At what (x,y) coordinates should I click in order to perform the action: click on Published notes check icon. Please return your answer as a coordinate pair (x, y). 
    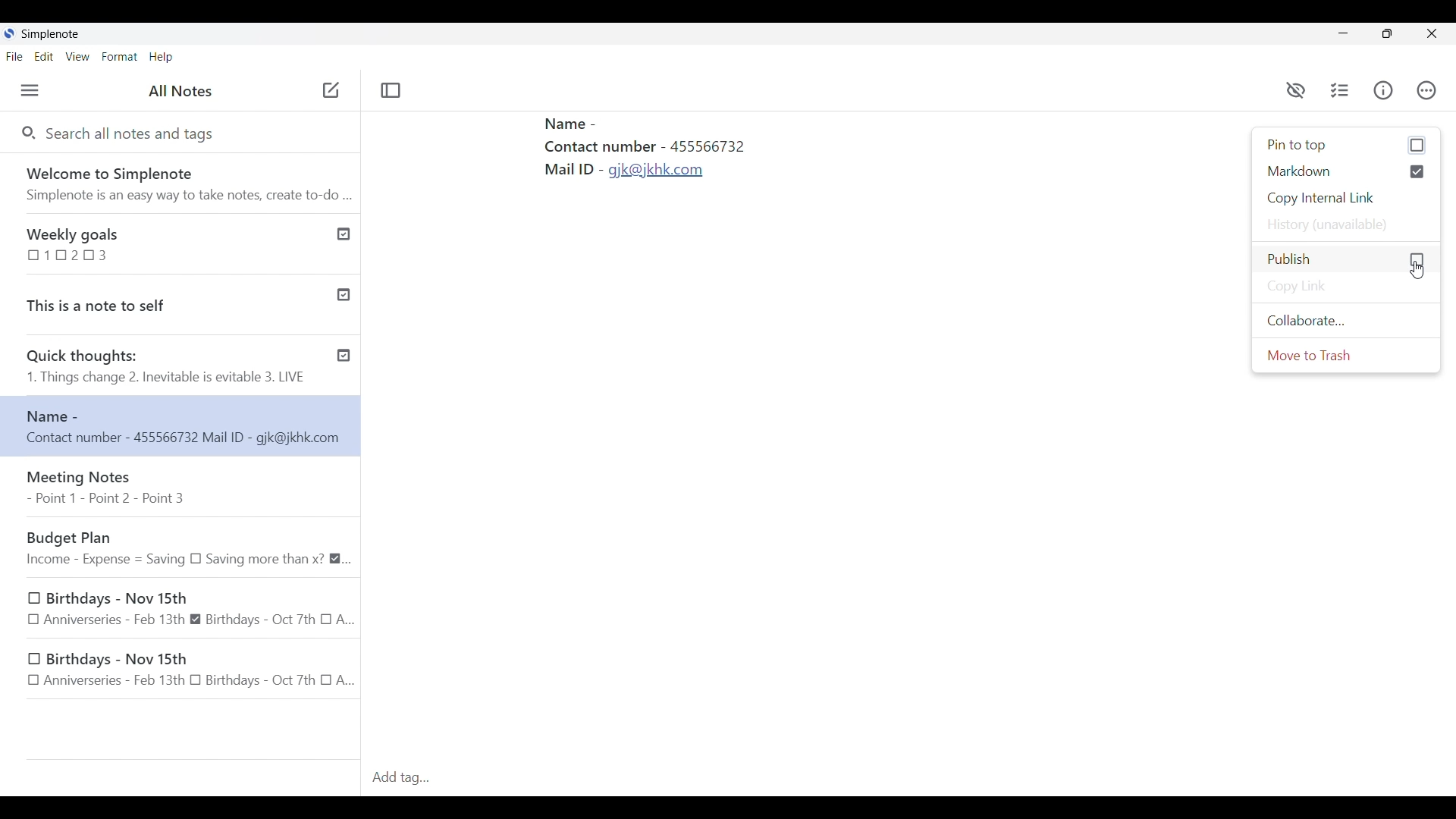
    Looking at the image, I should click on (344, 292).